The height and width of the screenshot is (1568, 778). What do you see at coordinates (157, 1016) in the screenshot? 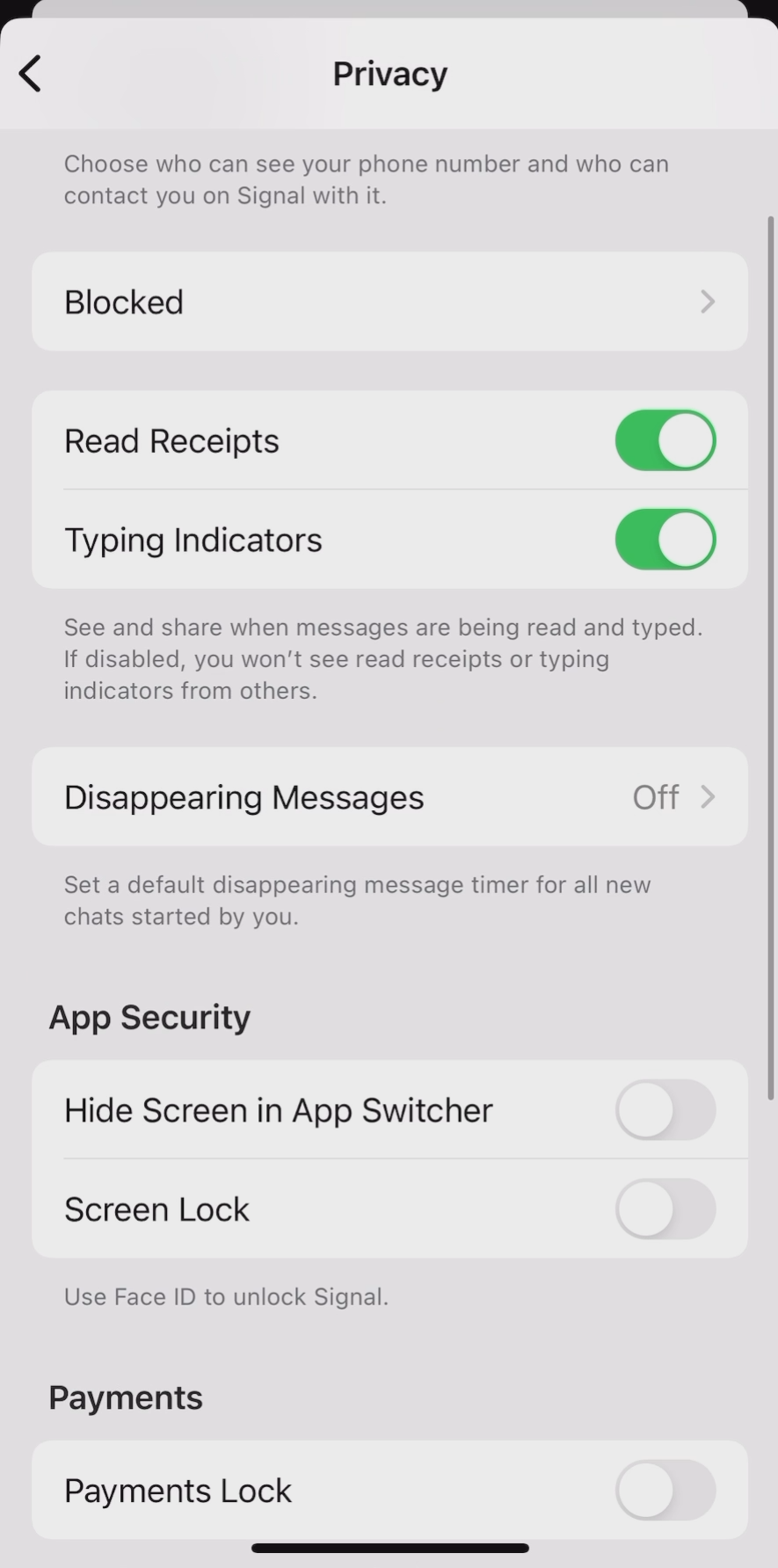
I see `app security` at bounding box center [157, 1016].